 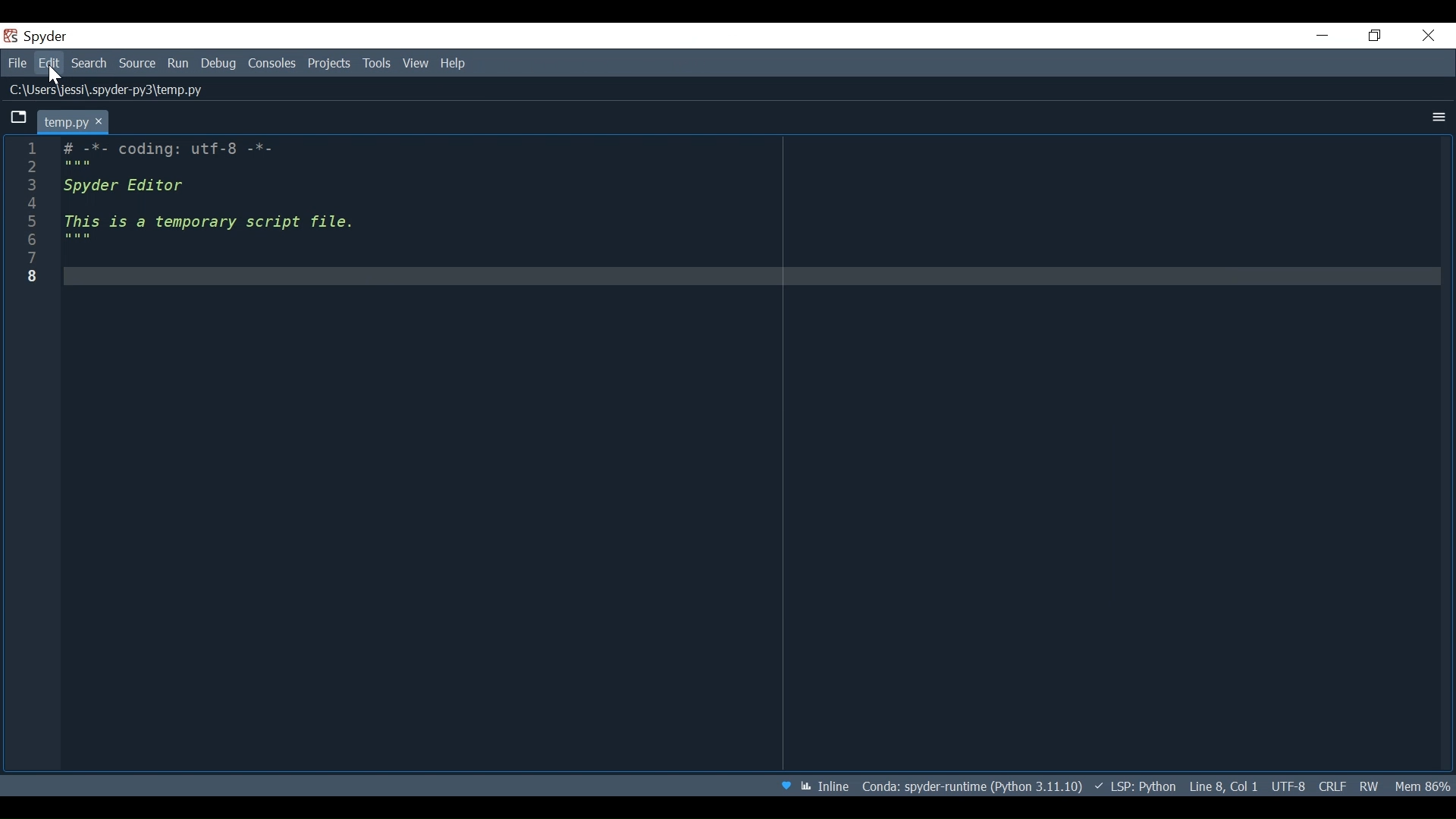 I want to click on Restore, so click(x=1376, y=36).